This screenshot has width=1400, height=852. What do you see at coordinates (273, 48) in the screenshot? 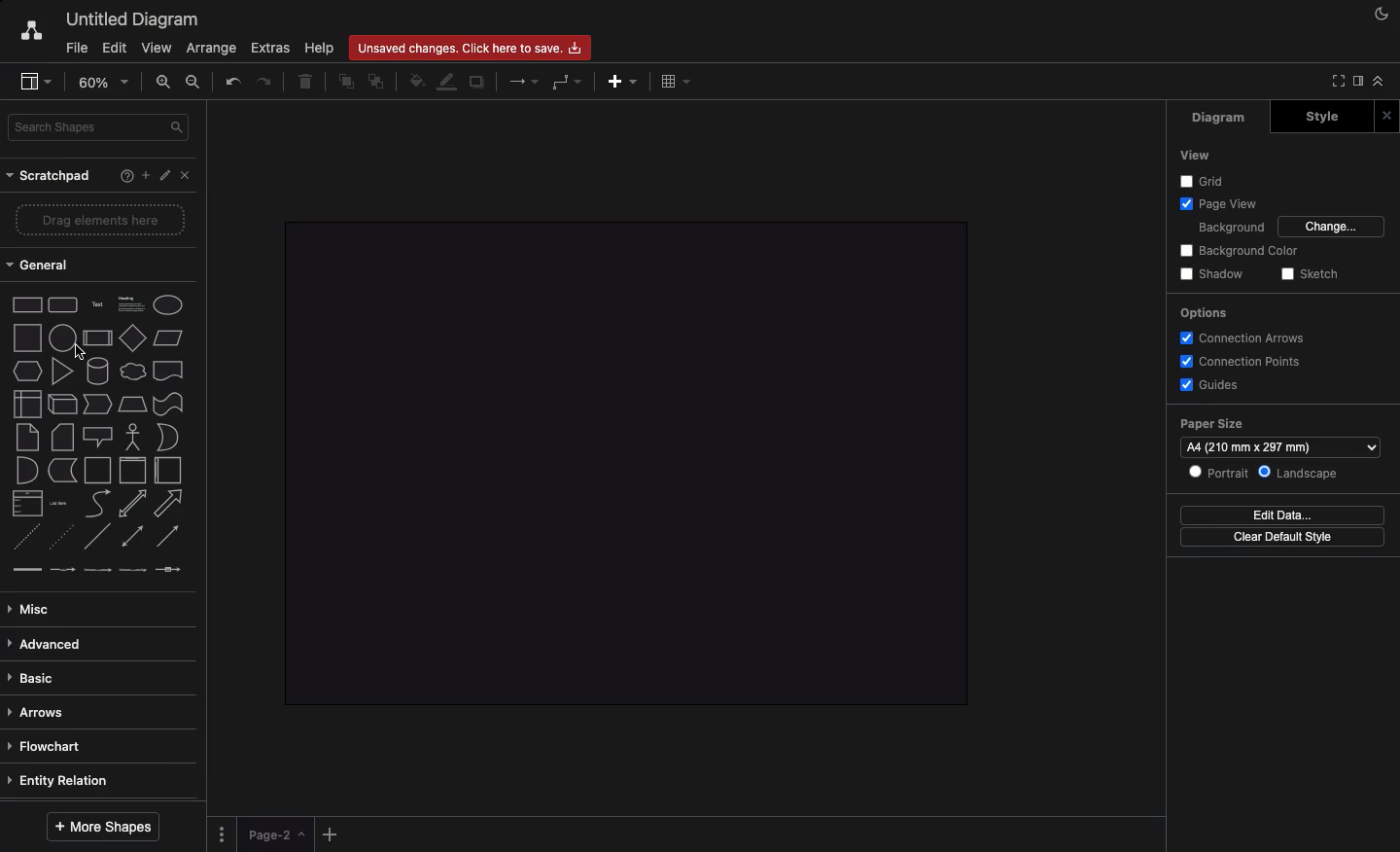
I see `Extras` at bounding box center [273, 48].